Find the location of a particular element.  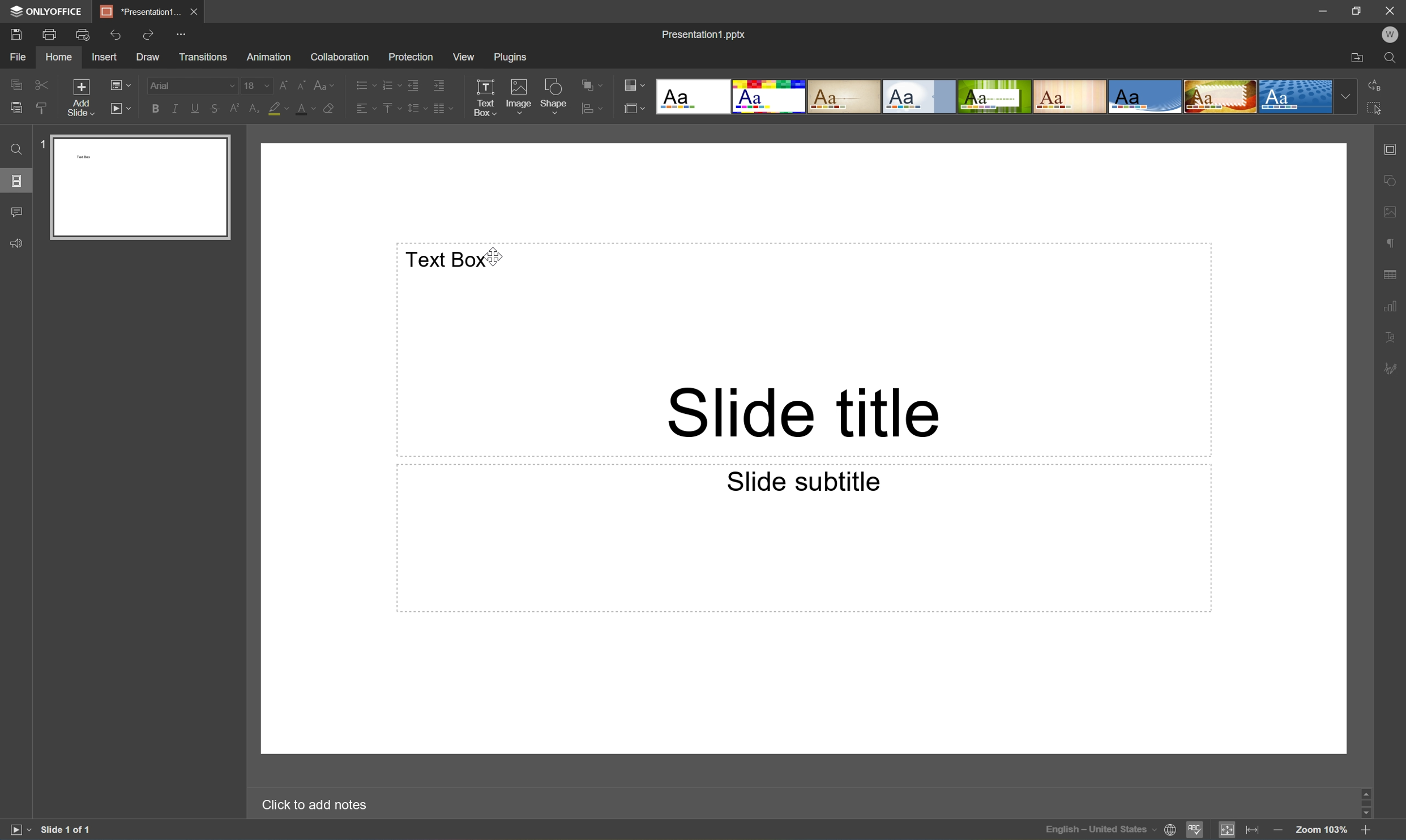

Bullets is located at coordinates (360, 85).